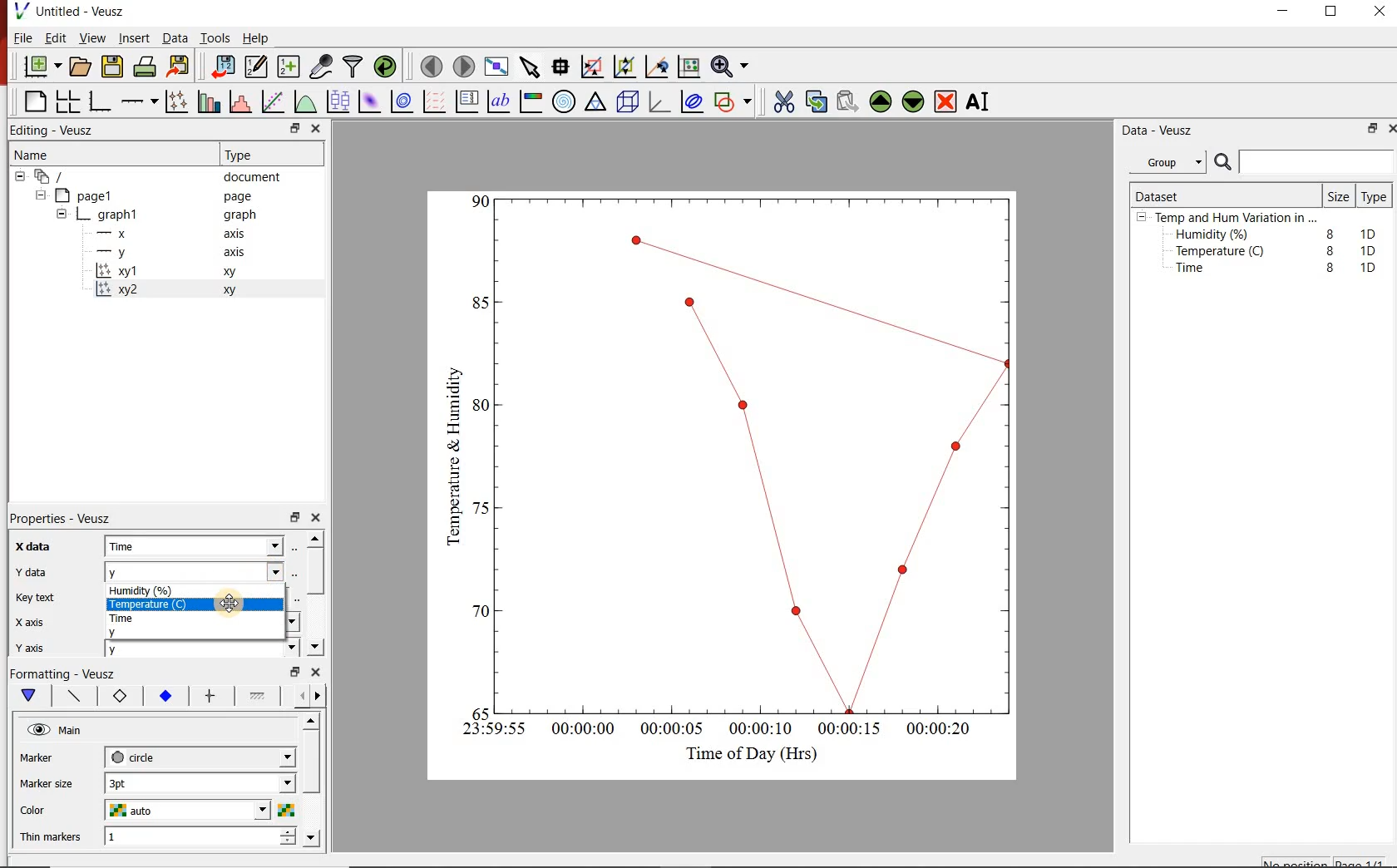 This screenshot has width=1397, height=868. I want to click on 1D, so click(1368, 267).